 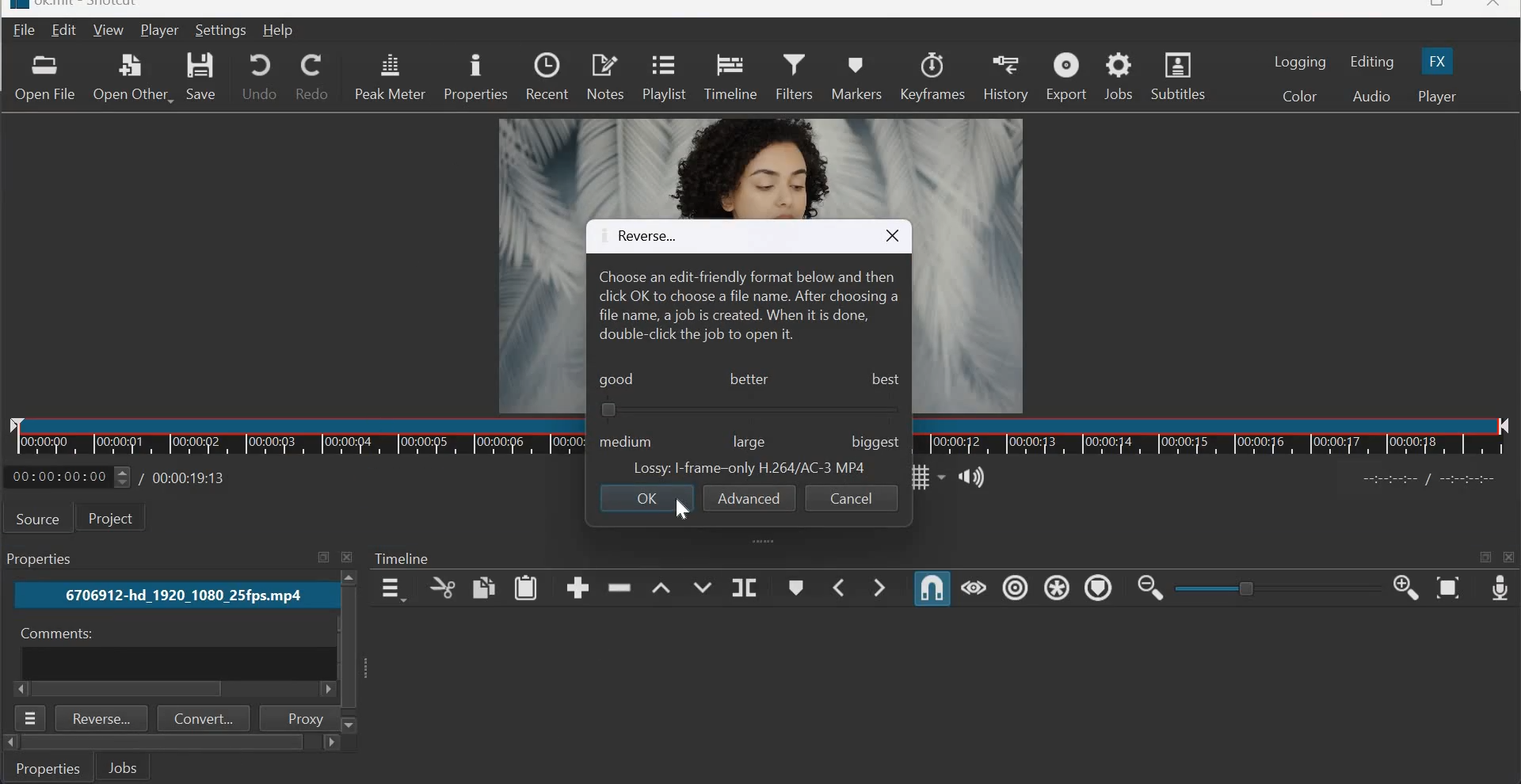 What do you see at coordinates (10, 743) in the screenshot?
I see `scroll left` at bounding box center [10, 743].